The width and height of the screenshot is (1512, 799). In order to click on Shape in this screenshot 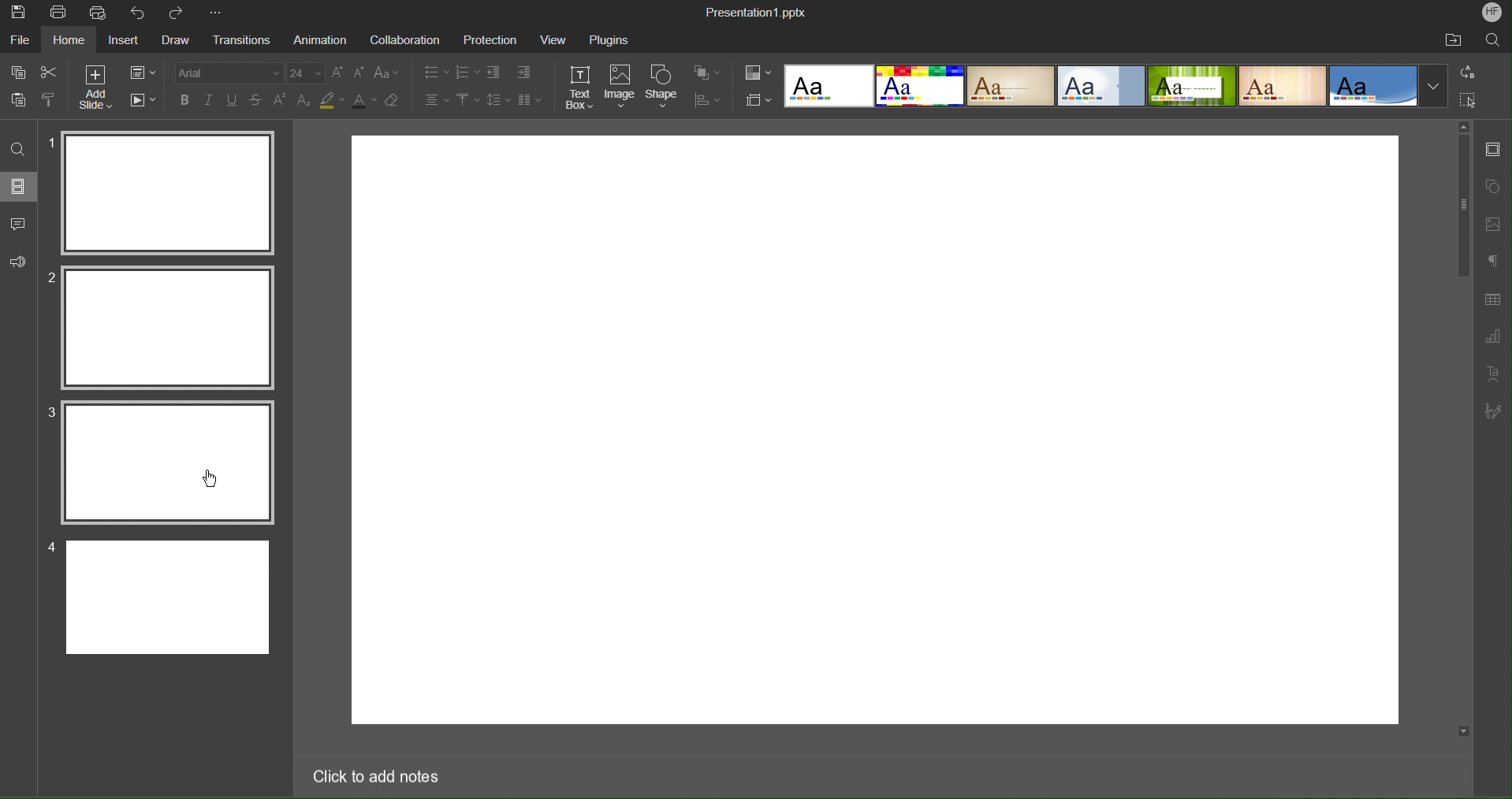, I will do `click(661, 87)`.